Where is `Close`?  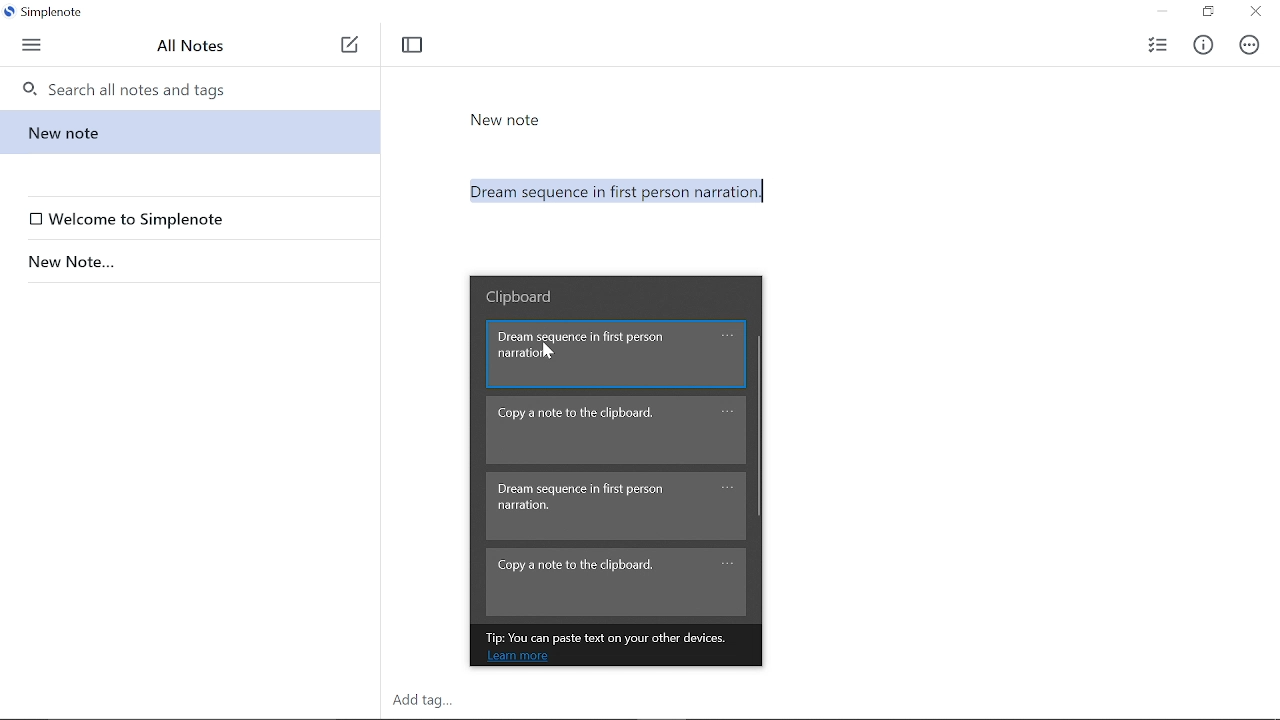 Close is located at coordinates (1256, 13).